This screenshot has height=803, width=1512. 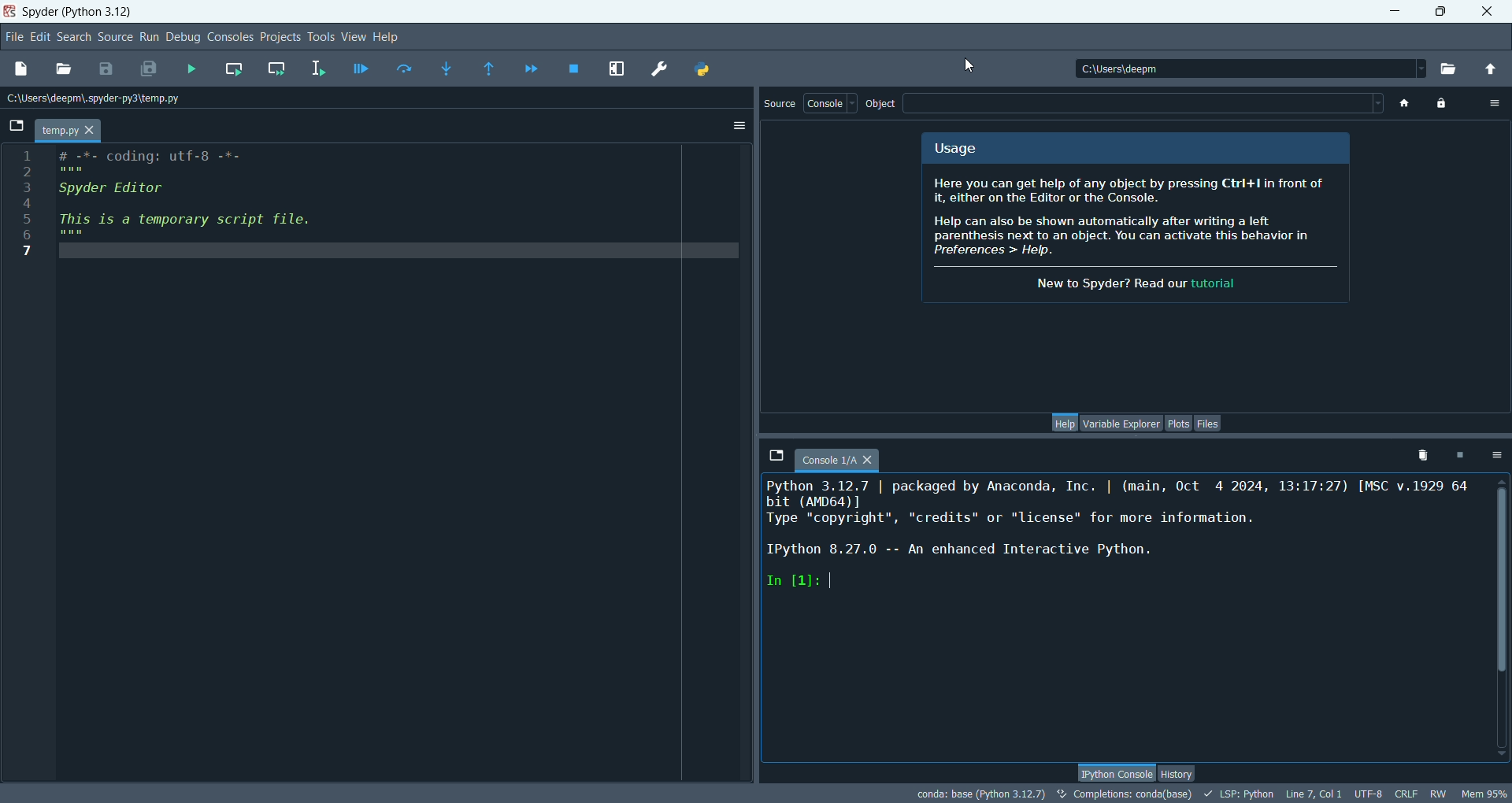 I want to click on location, so click(x=102, y=101).